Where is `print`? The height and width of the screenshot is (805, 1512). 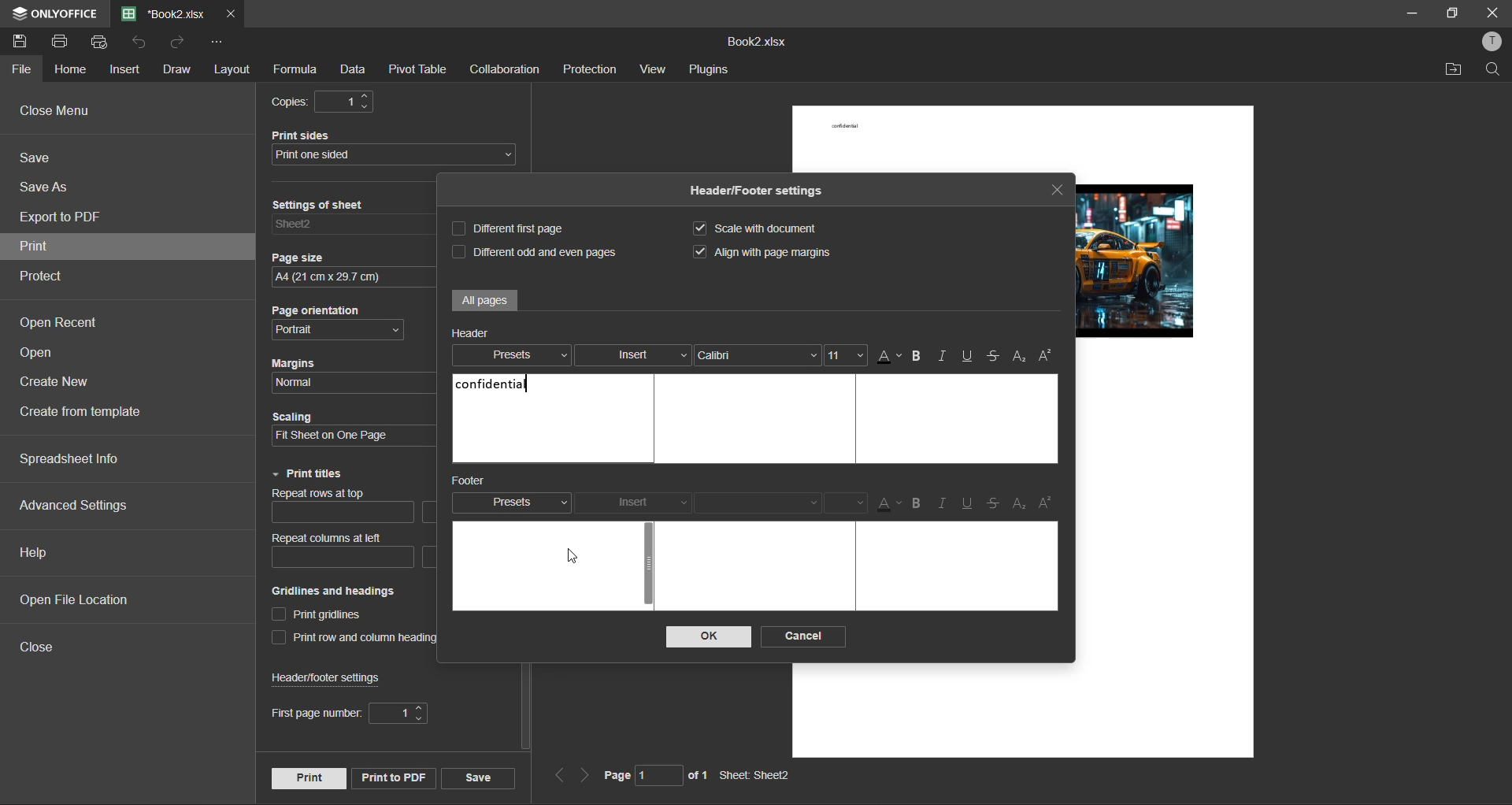
print is located at coordinates (64, 40).